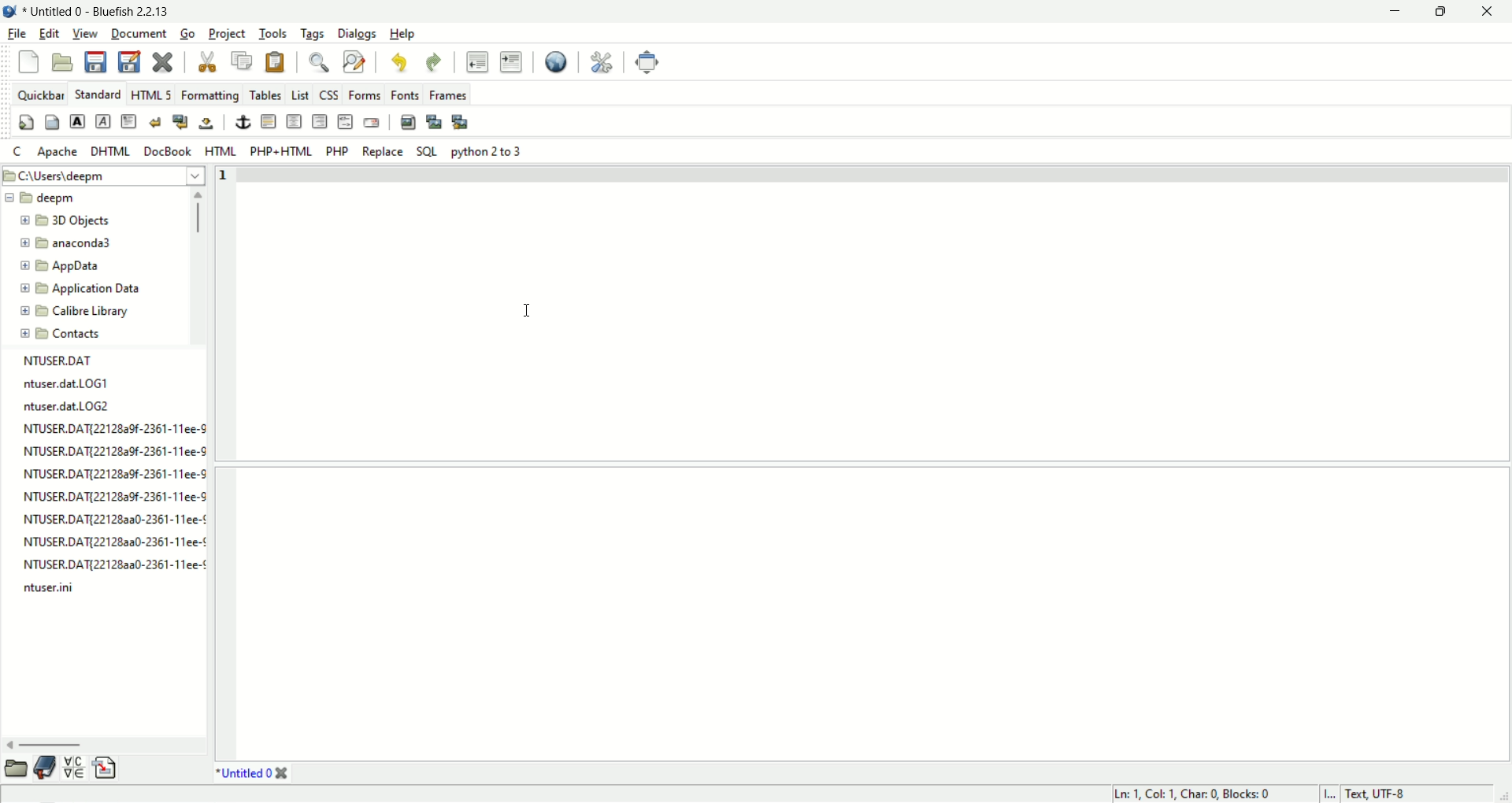 This screenshot has height=803, width=1512. What do you see at coordinates (64, 62) in the screenshot?
I see `open file` at bounding box center [64, 62].